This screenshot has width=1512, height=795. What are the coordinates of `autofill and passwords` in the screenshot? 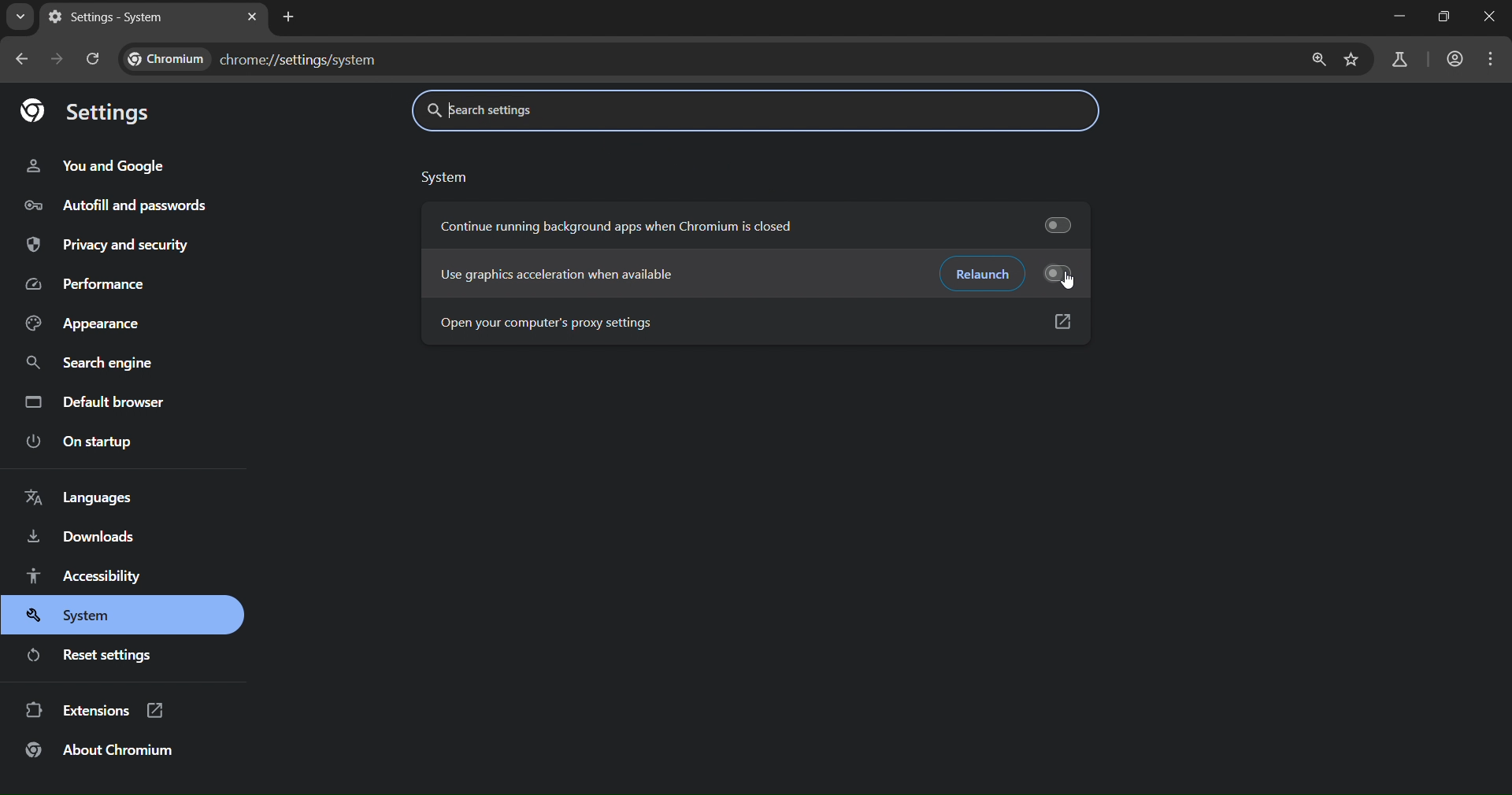 It's located at (122, 204).